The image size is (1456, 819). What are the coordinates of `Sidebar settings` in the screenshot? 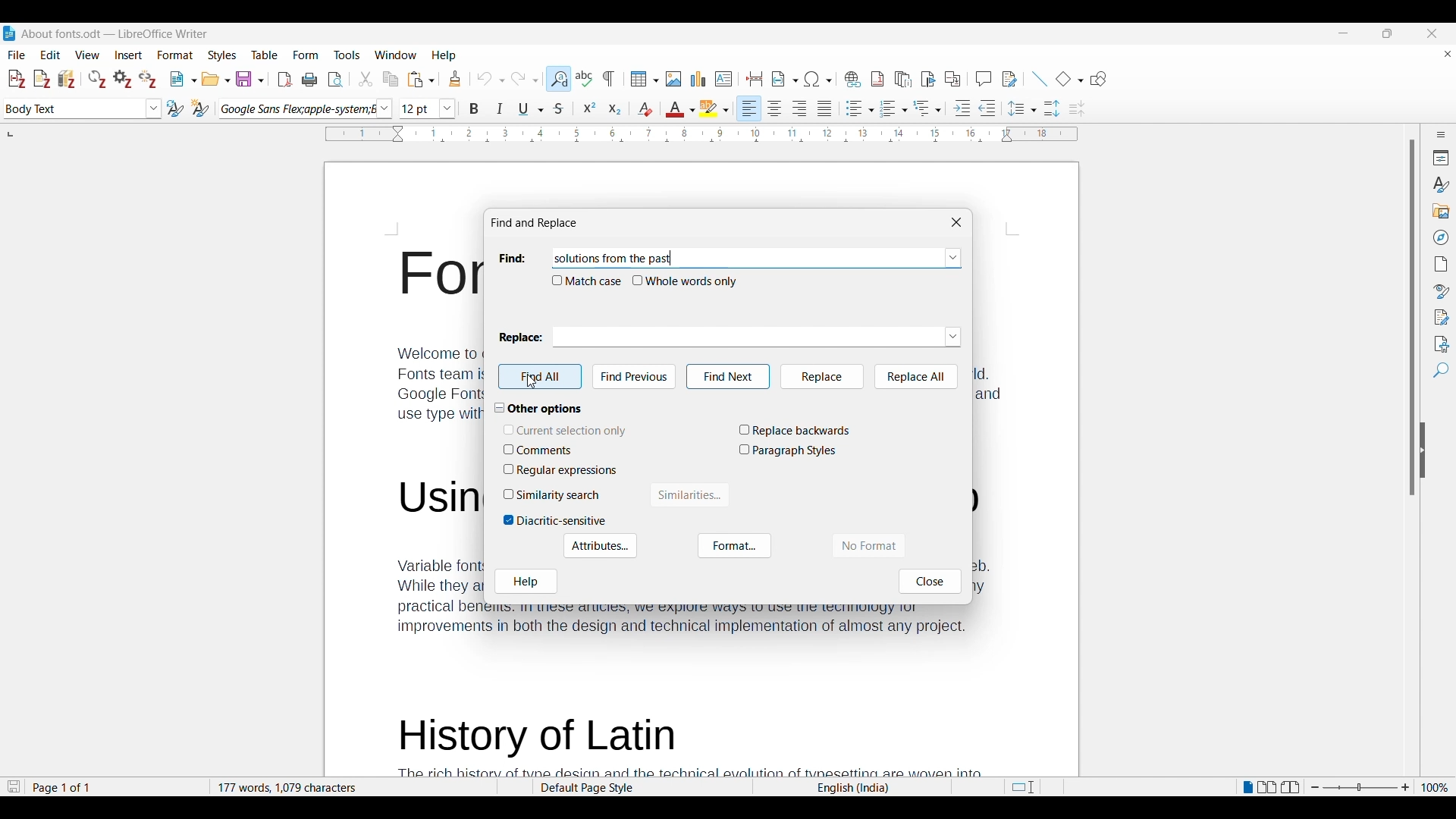 It's located at (1441, 134).